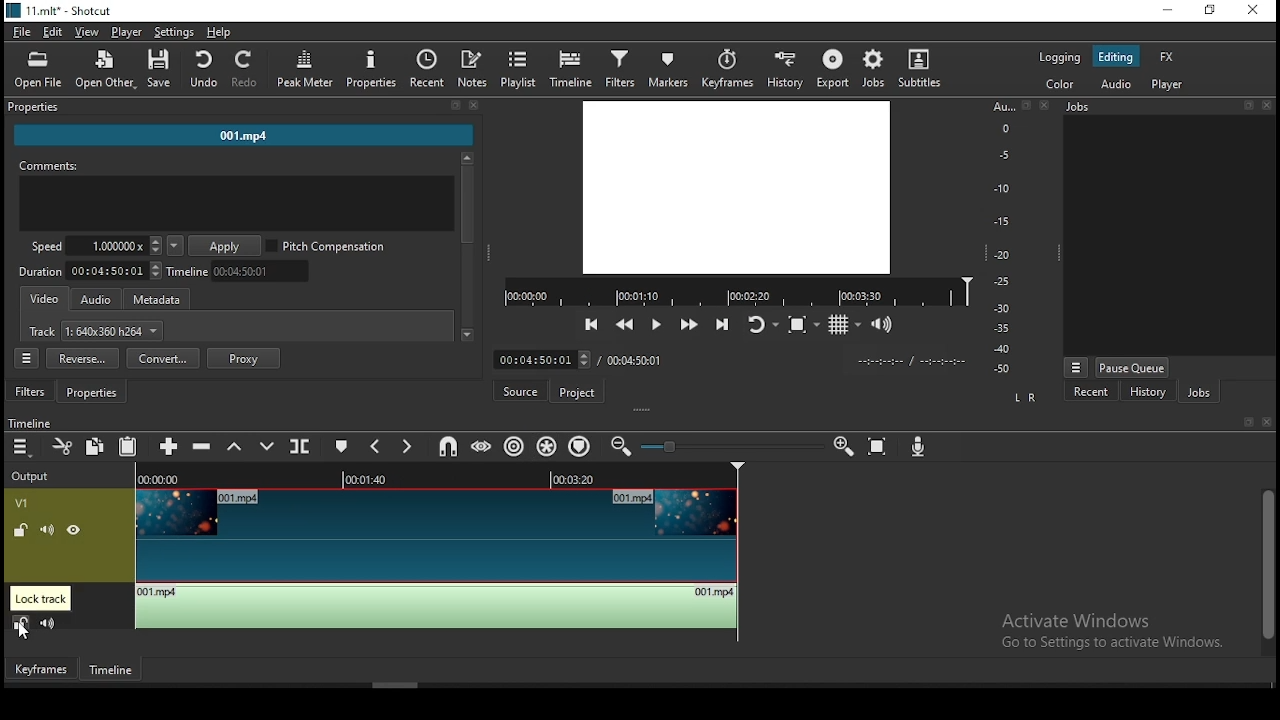 This screenshot has width=1280, height=720. What do you see at coordinates (723, 324) in the screenshot?
I see `skip to the next point` at bounding box center [723, 324].